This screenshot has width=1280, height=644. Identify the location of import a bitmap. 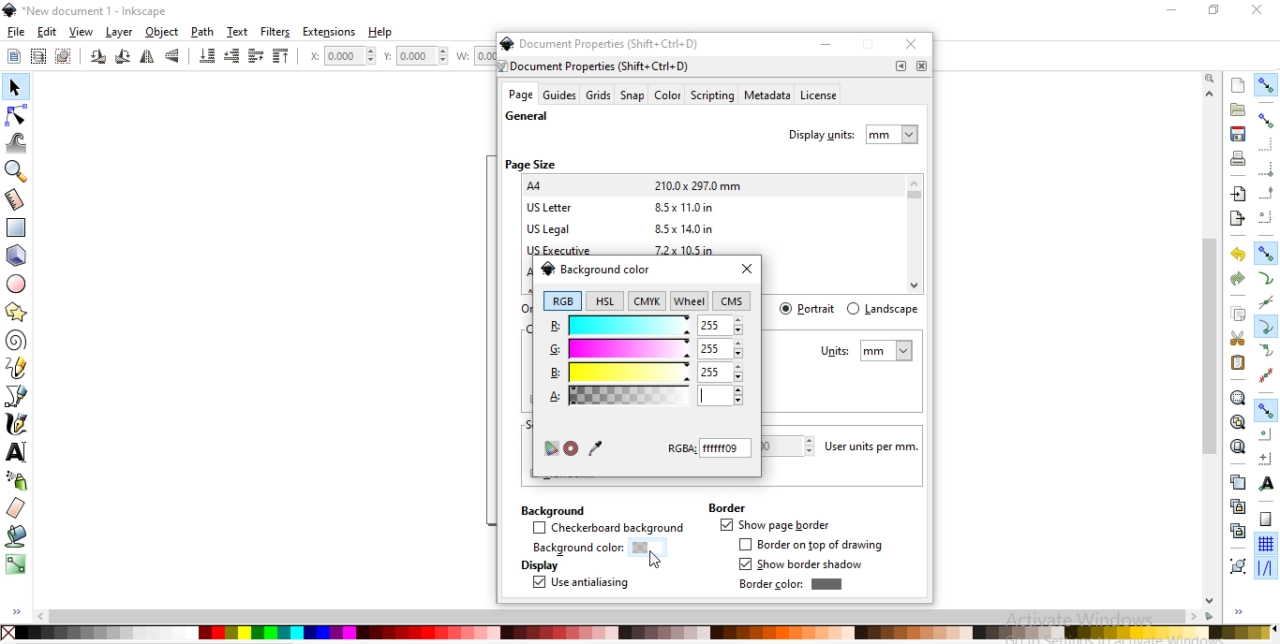
(1239, 194).